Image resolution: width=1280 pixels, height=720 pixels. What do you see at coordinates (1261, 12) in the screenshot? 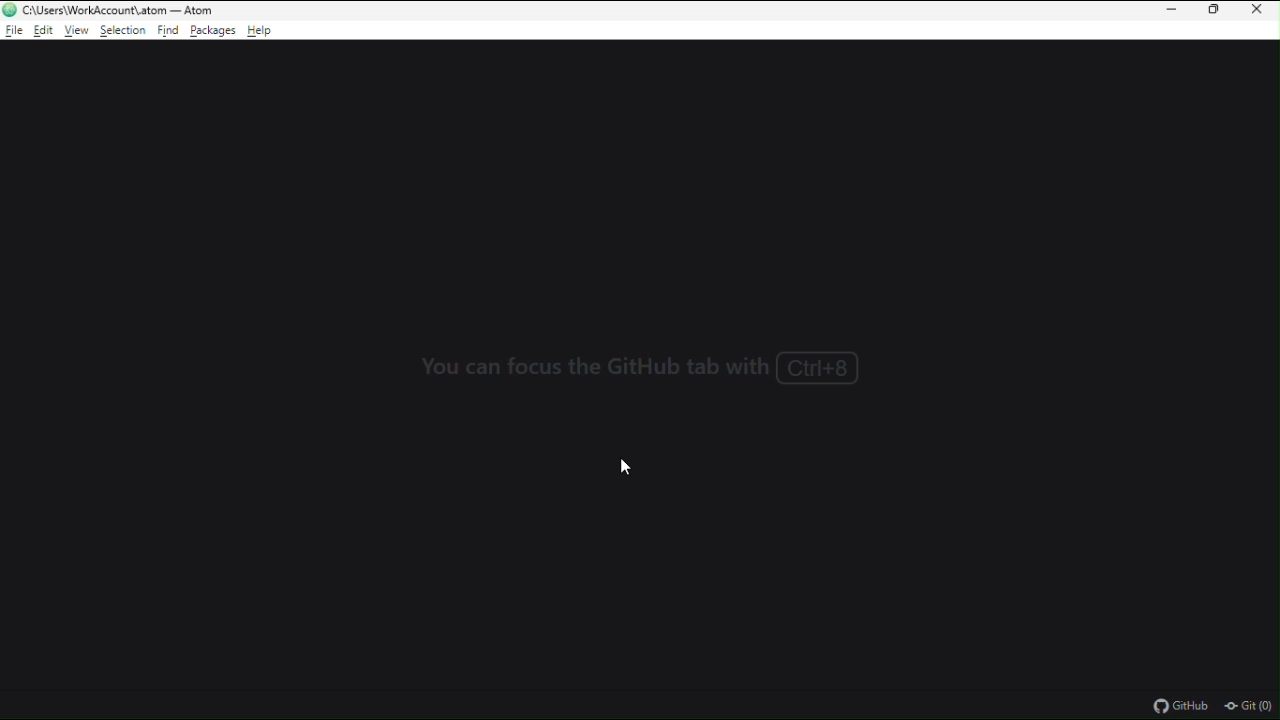
I see `Close` at bounding box center [1261, 12].